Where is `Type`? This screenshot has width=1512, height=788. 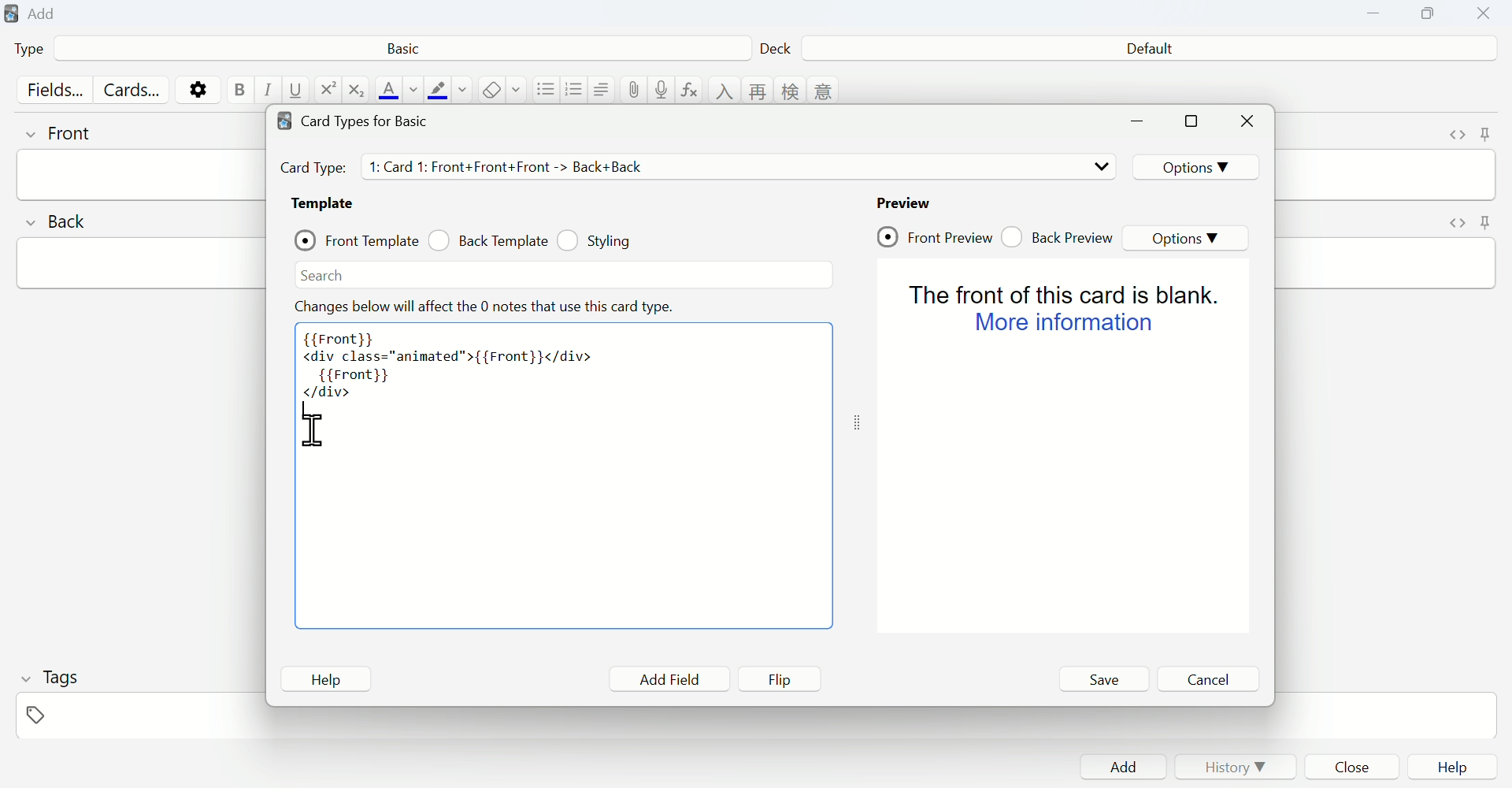 Type is located at coordinates (56, 52).